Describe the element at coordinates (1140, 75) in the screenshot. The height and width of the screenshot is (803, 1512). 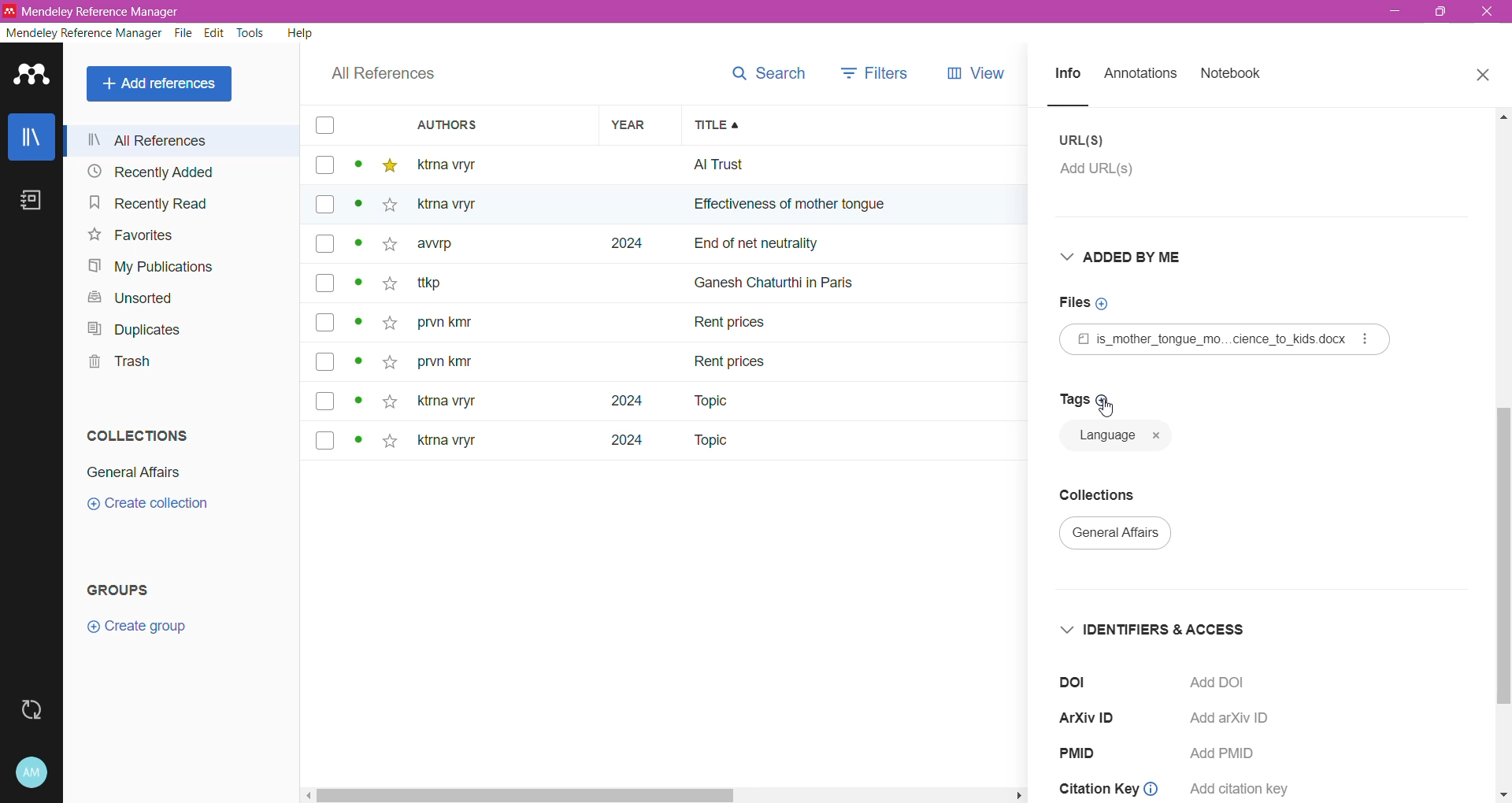
I see `Annotations` at that location.